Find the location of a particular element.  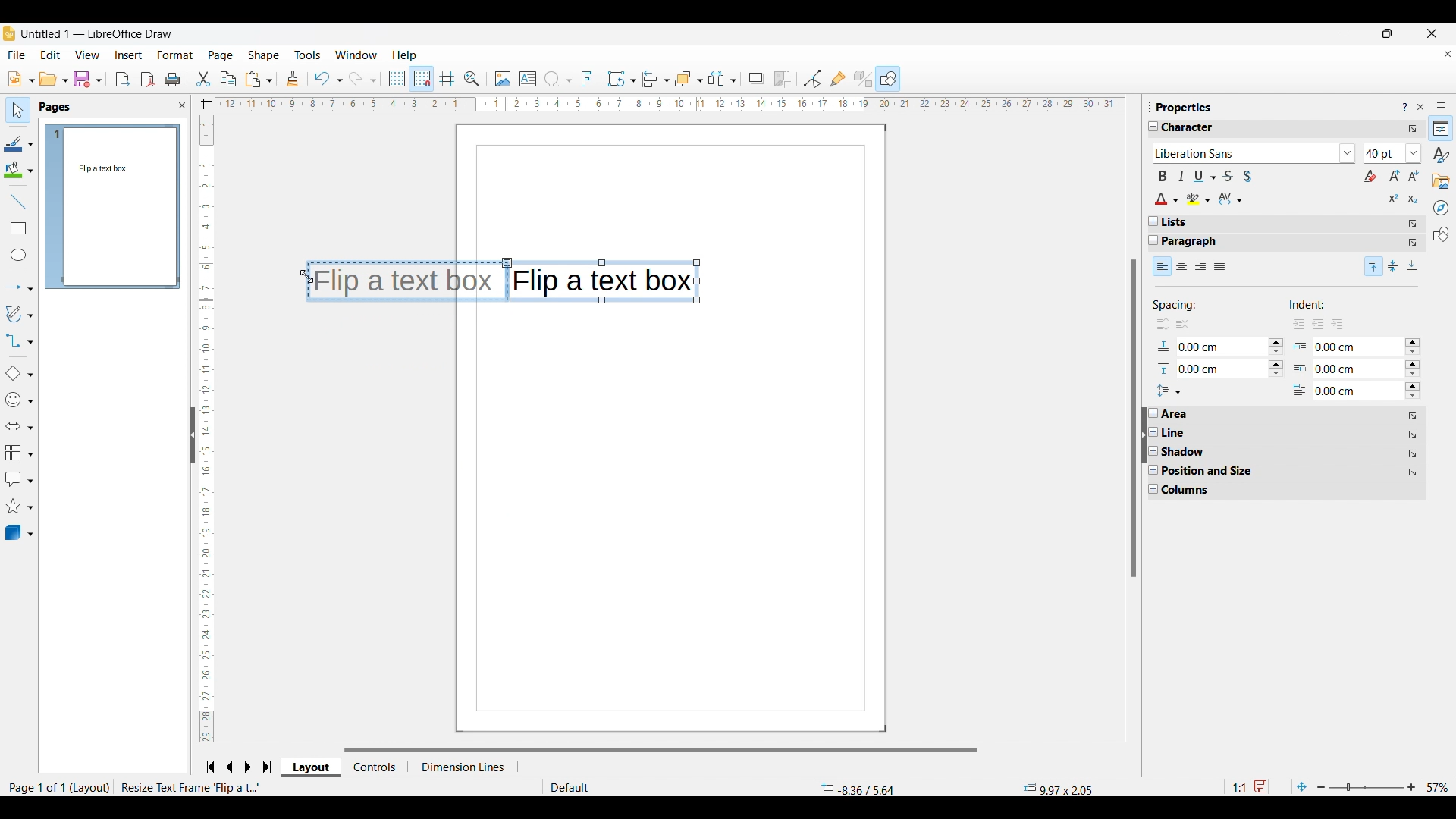

Window menu is located at coordinates (356, 55).